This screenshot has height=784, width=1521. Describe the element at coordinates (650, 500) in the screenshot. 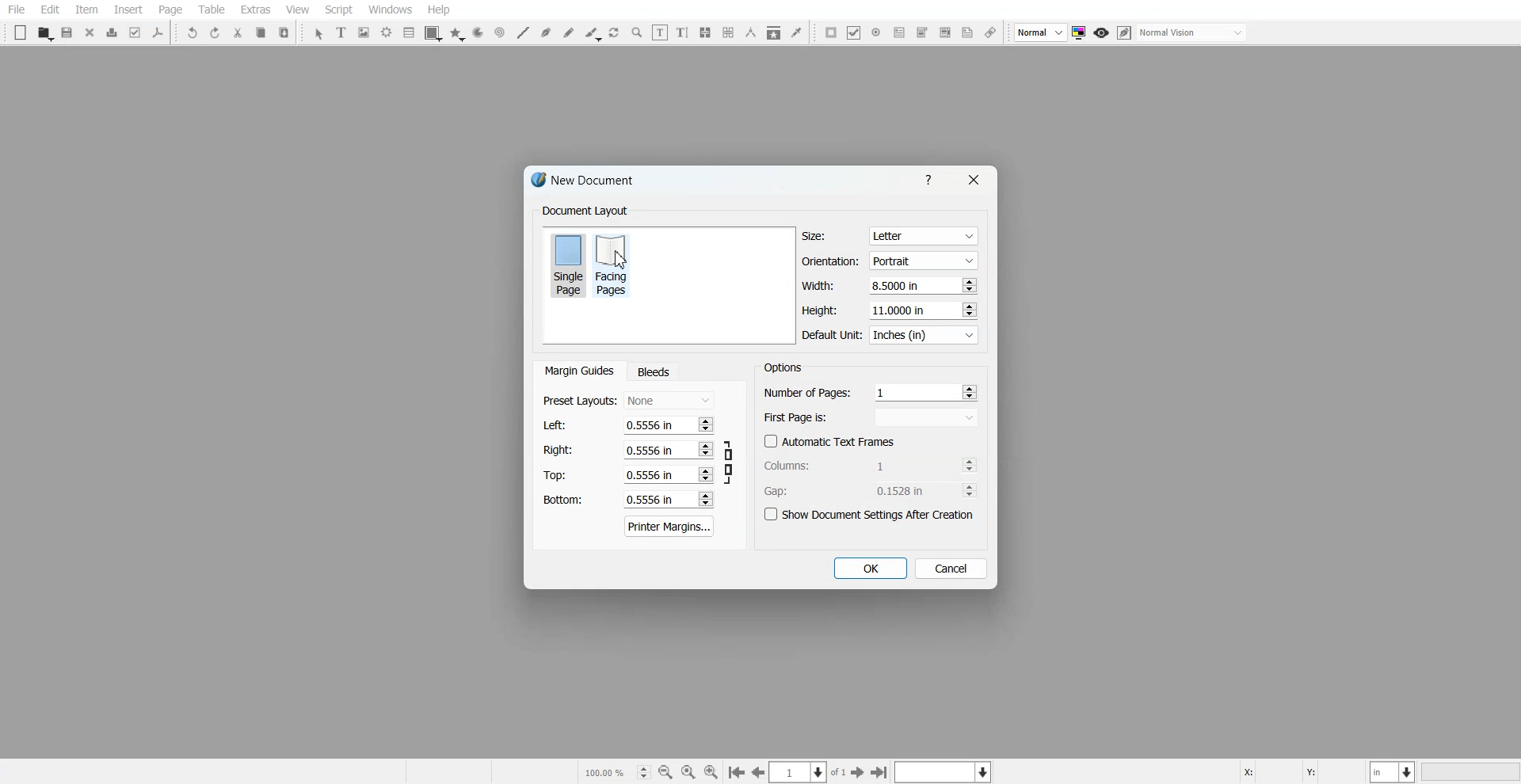

I see `0.5556 in` at that location.